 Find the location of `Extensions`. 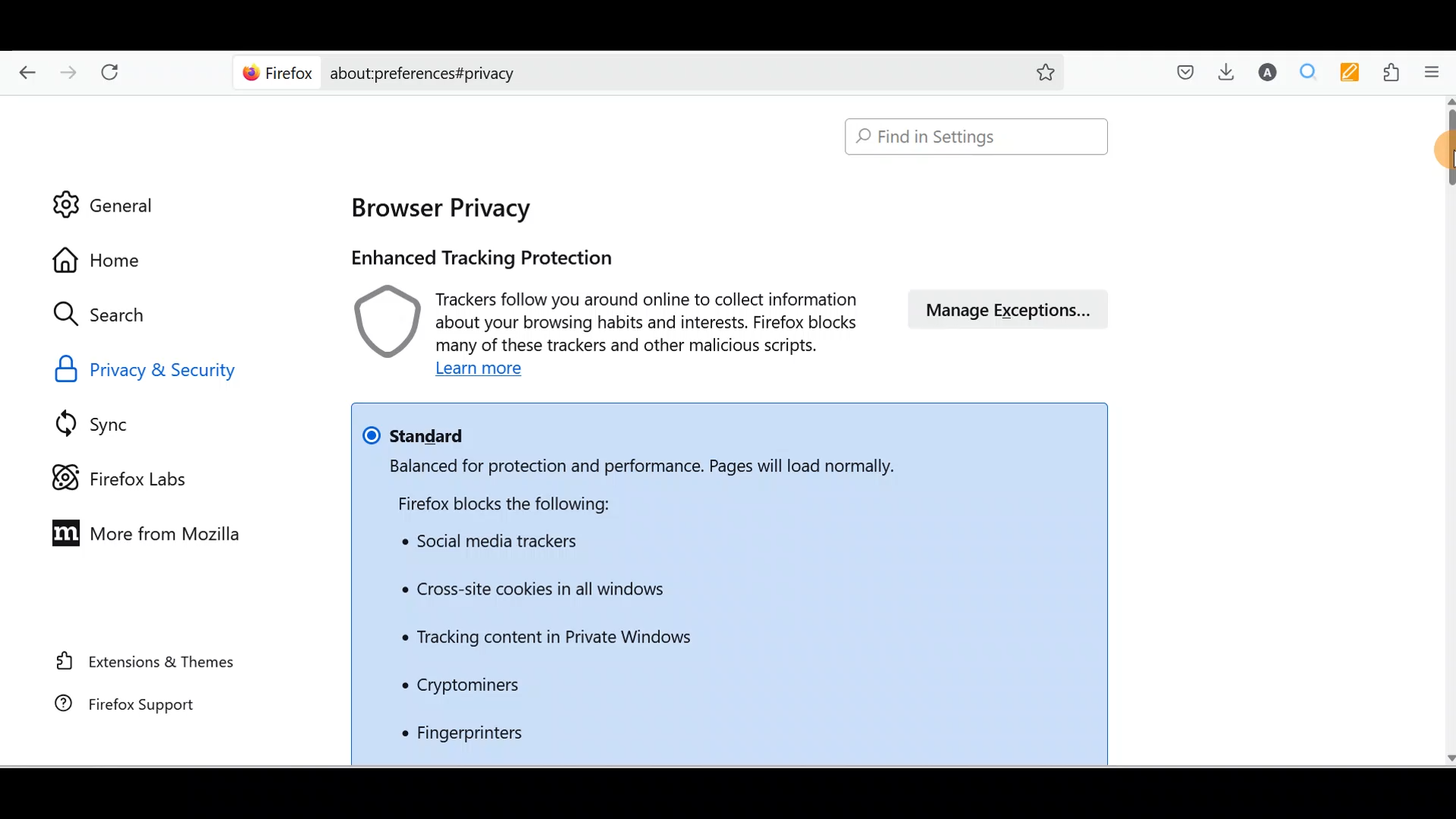

Extensions is located at coordinates (1391, 73).